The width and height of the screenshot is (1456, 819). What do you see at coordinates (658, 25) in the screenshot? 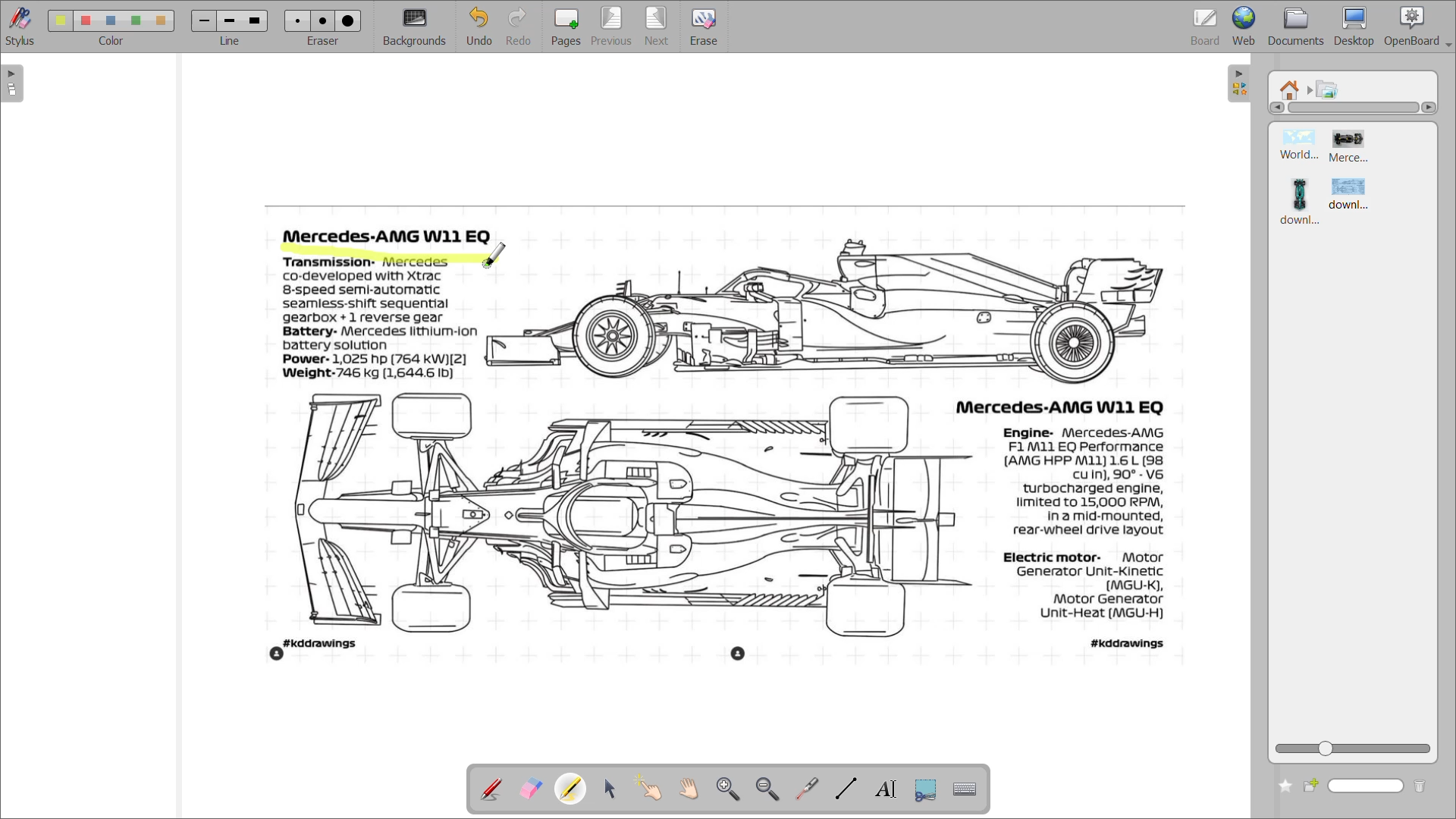
I see `next` at bounding box center [658, 25].